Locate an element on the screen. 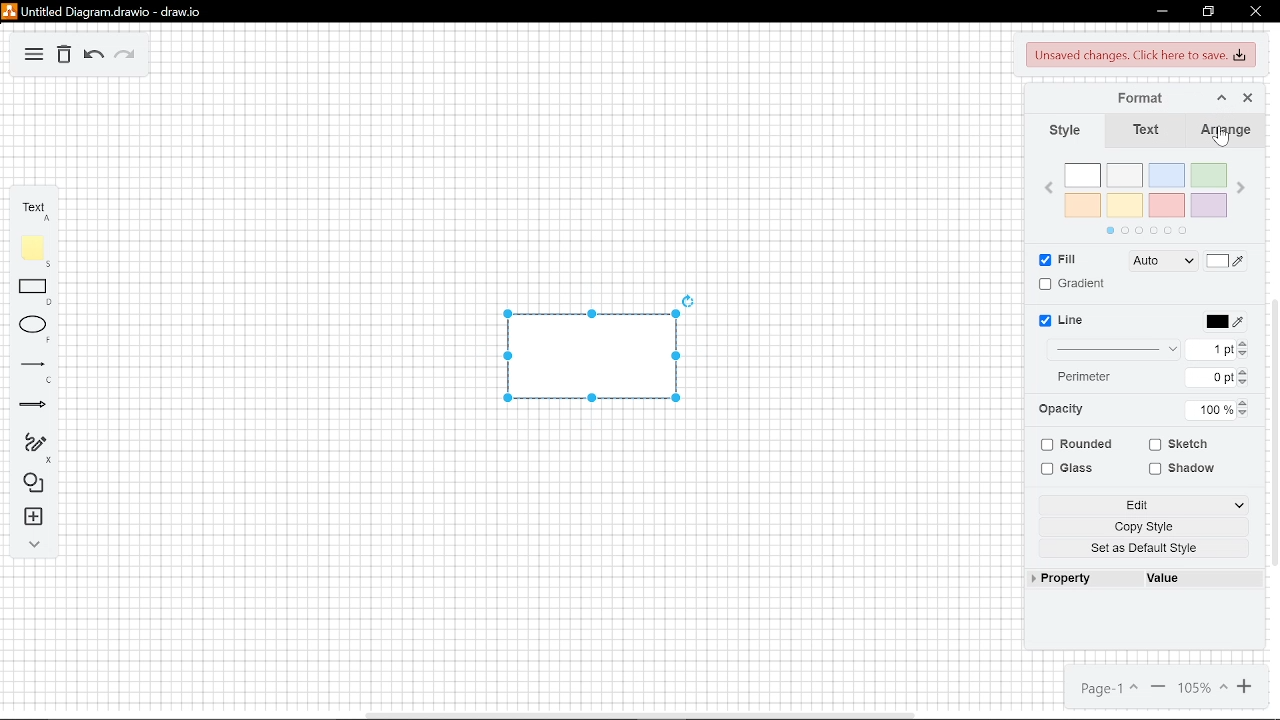 The image size is (1280, 720). ash is located at coordinates (1126, 176).